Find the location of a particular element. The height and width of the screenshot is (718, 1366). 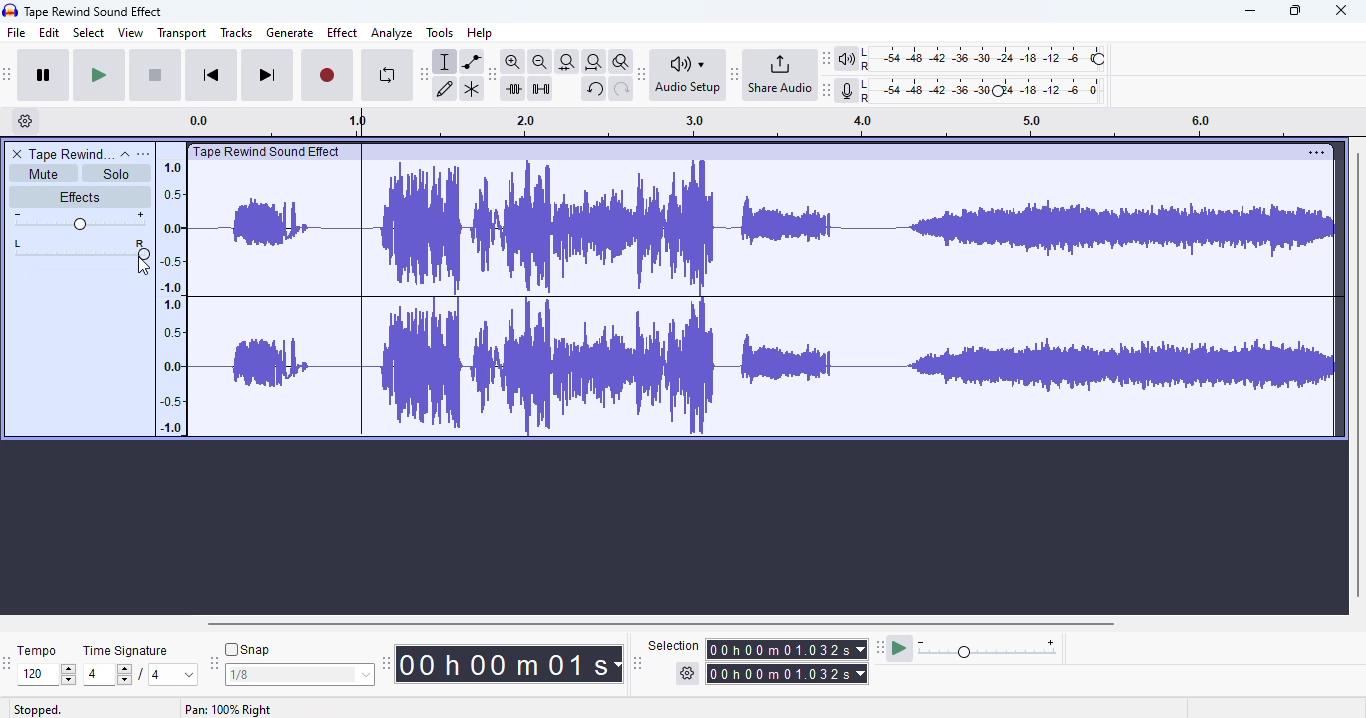

record is located at coordinates (327, 76).